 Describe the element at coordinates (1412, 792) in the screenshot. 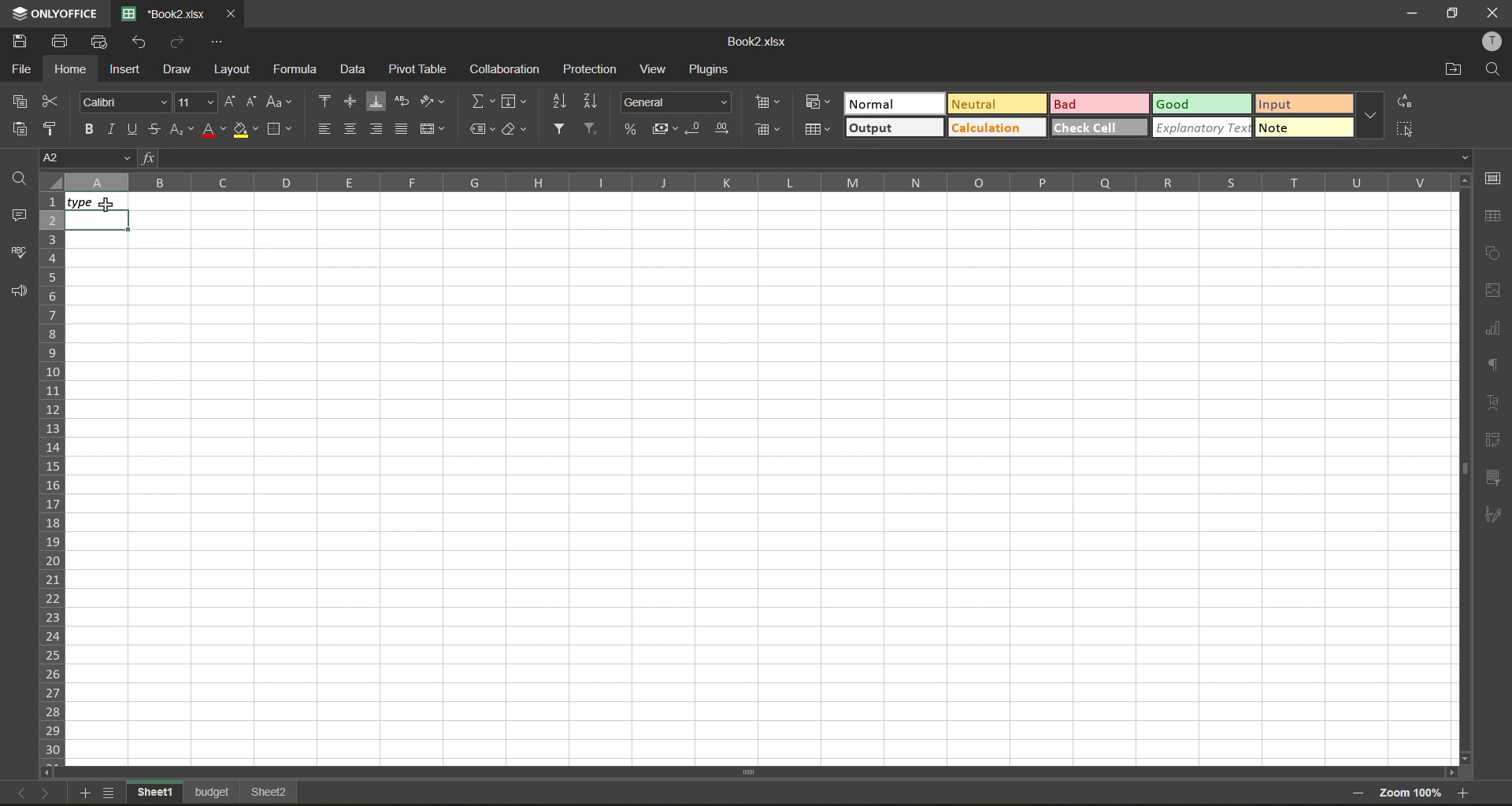

I see `zoom factor` at that location.